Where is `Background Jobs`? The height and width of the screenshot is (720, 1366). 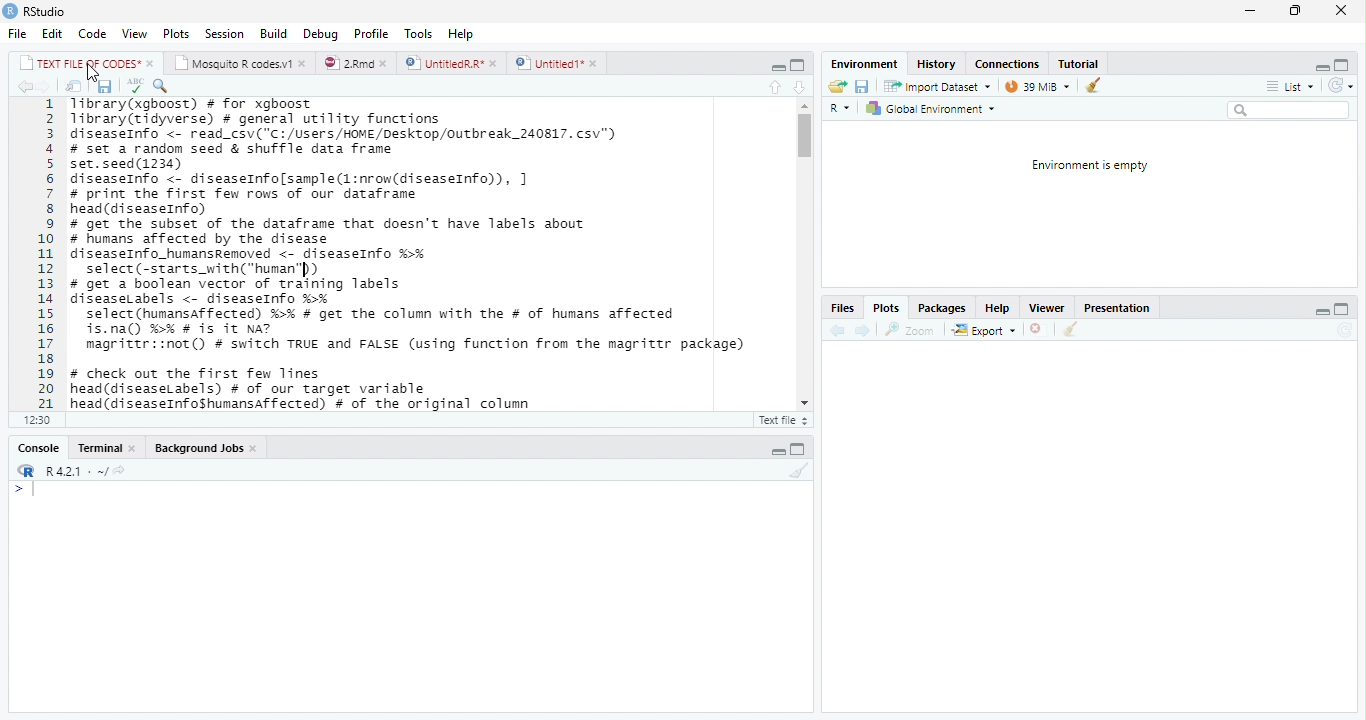
Background Jobs is located at coordinates (206, 447).